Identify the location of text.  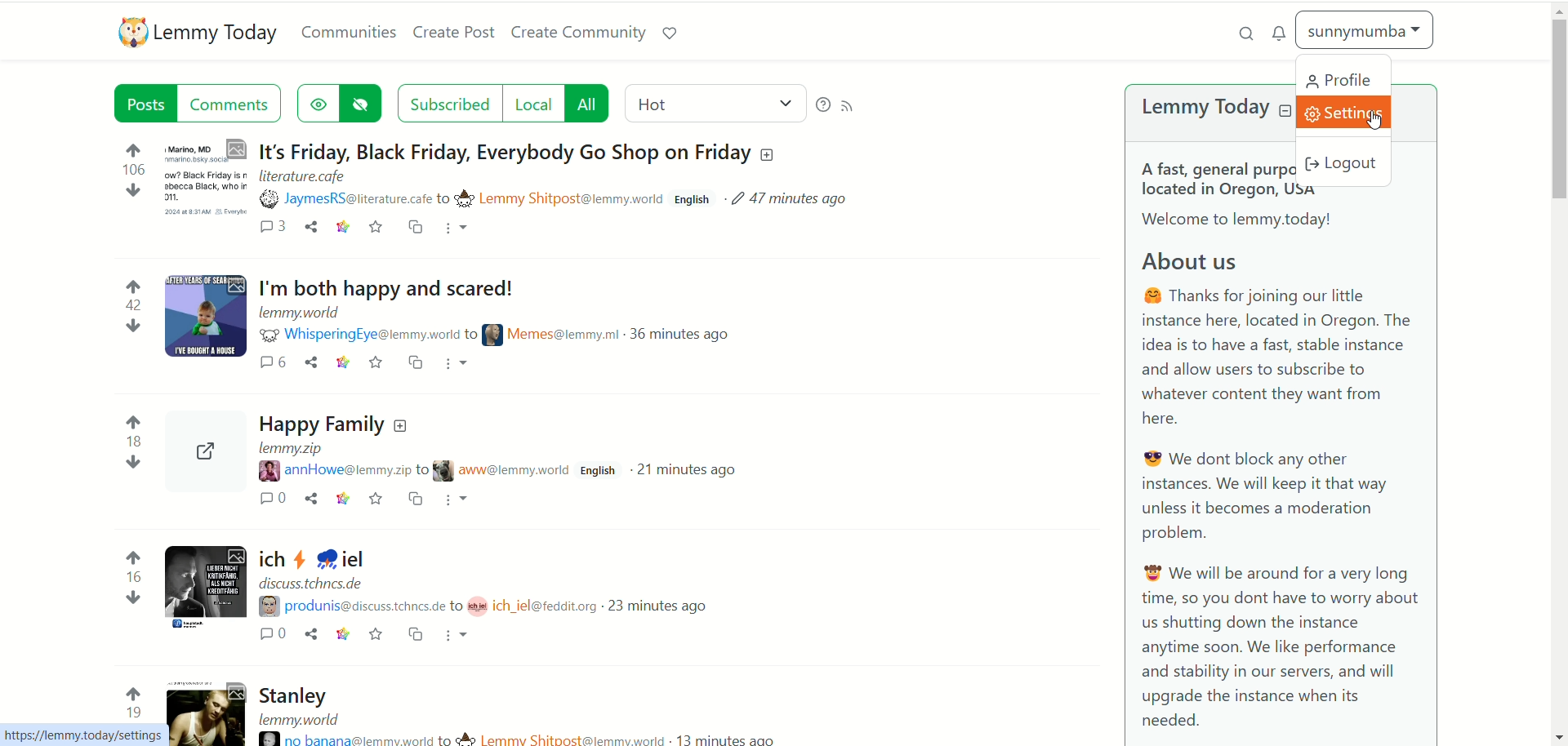
(1219, 175).